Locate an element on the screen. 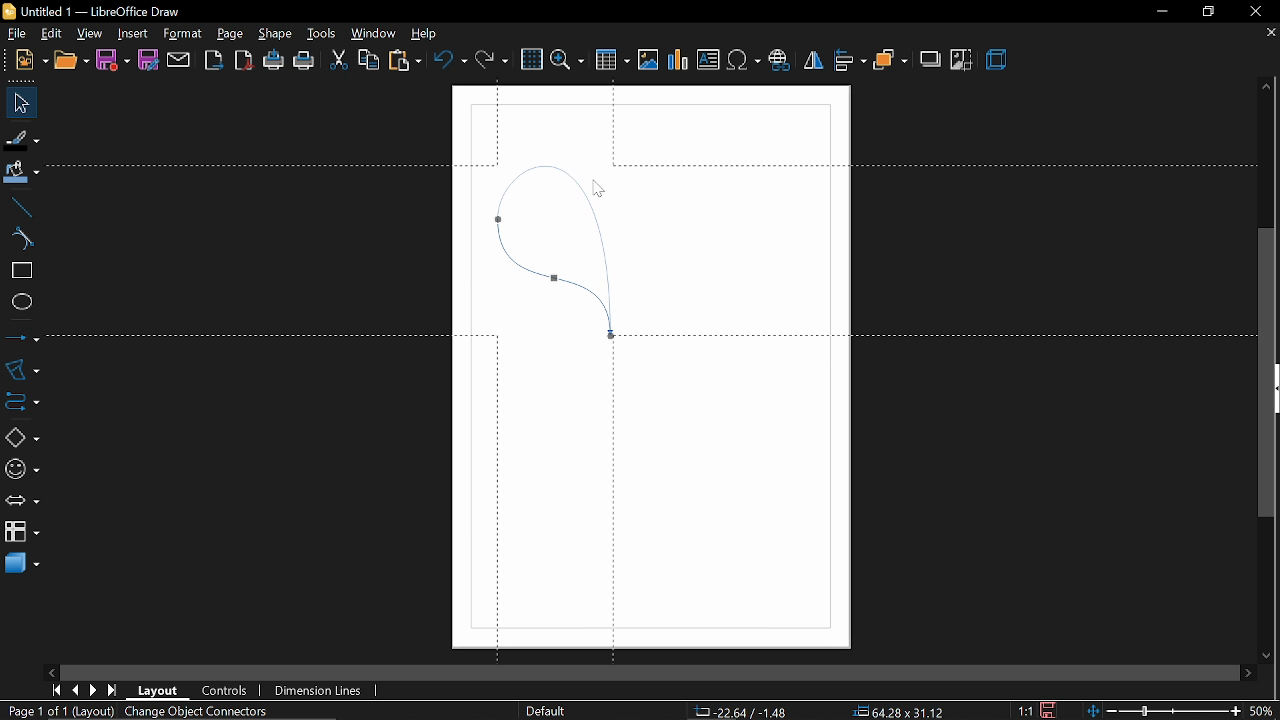  export as pdf is located at coordinates (244, 62).